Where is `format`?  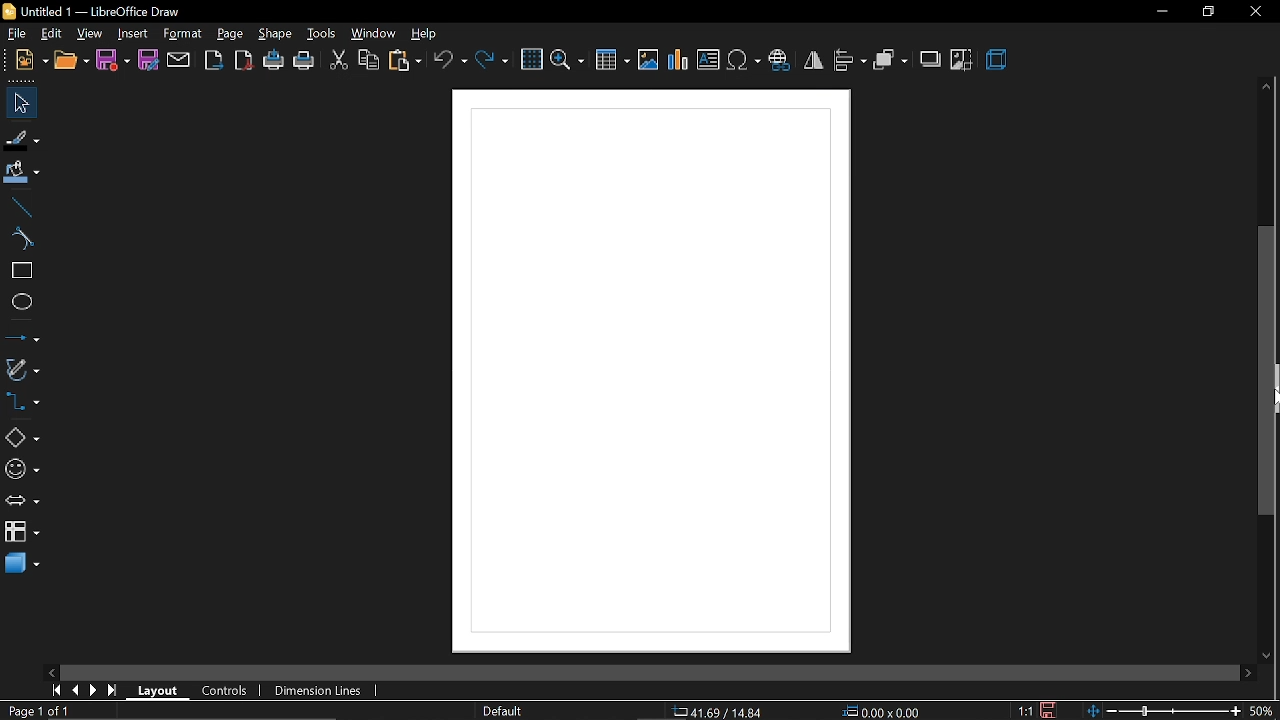 format is located at coordinates (180, 33).